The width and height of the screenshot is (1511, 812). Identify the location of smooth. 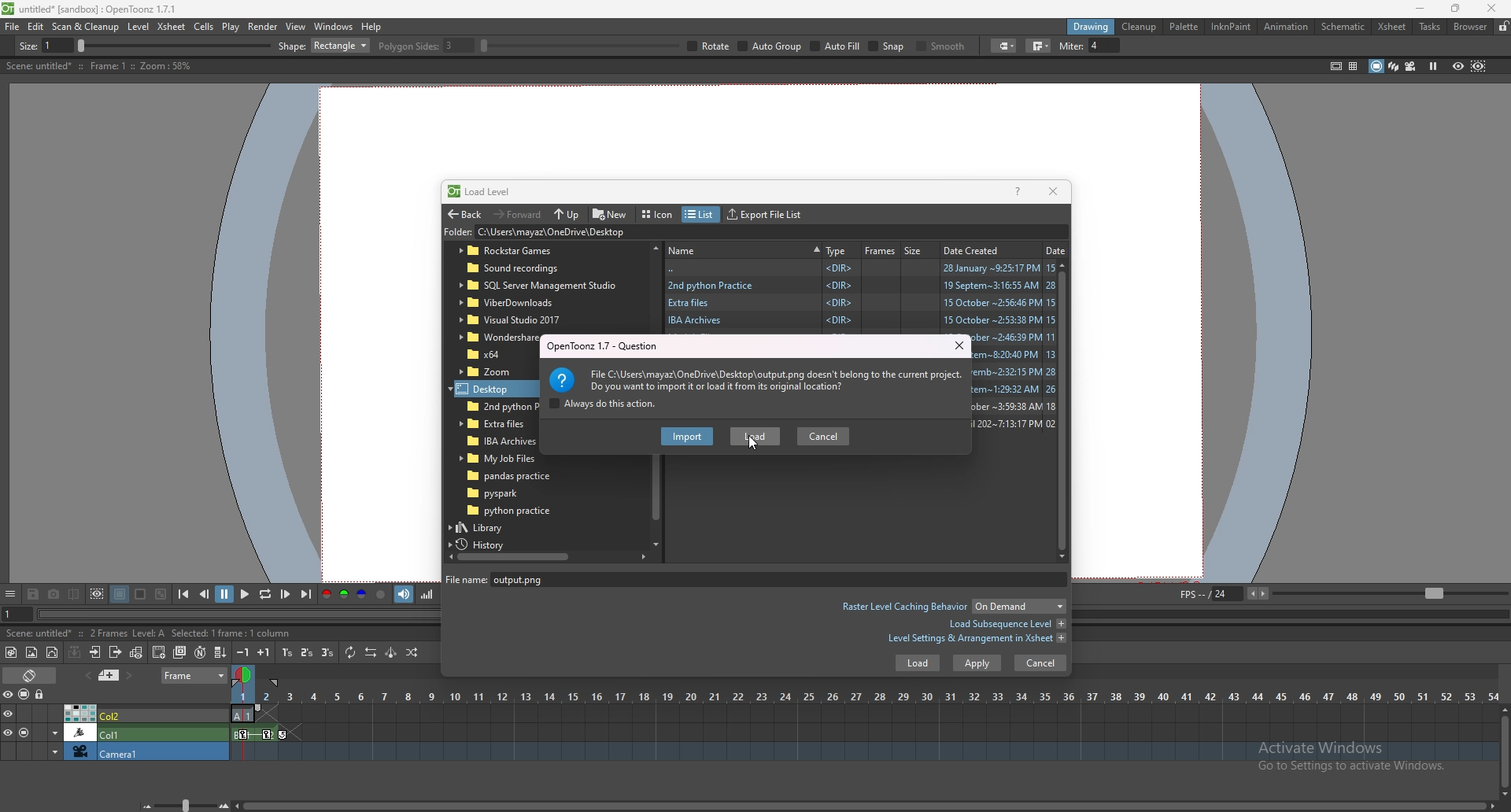
(1217, 47).